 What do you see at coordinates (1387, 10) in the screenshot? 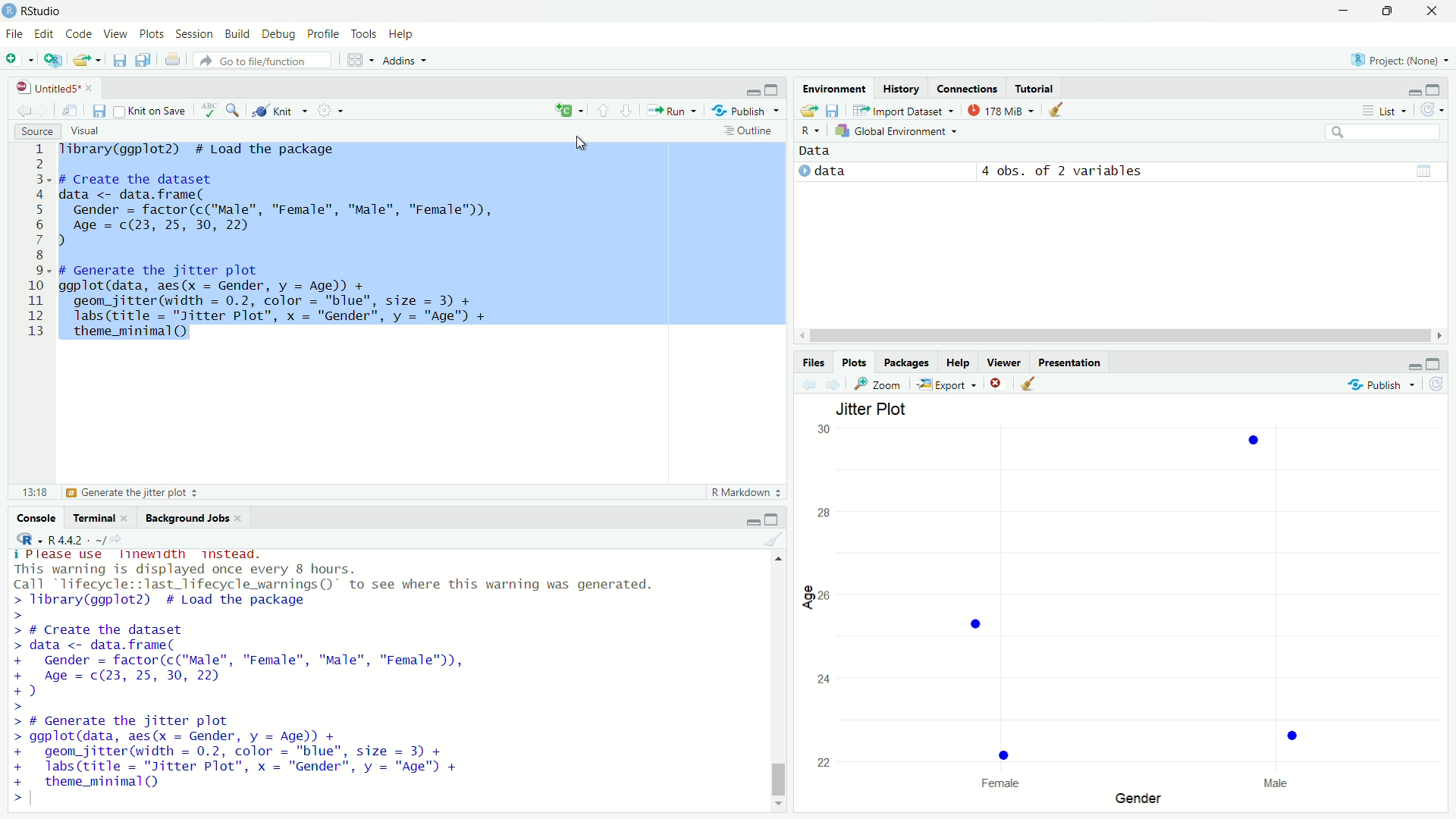
I see `maximize` at bounding box center [1387, 10].